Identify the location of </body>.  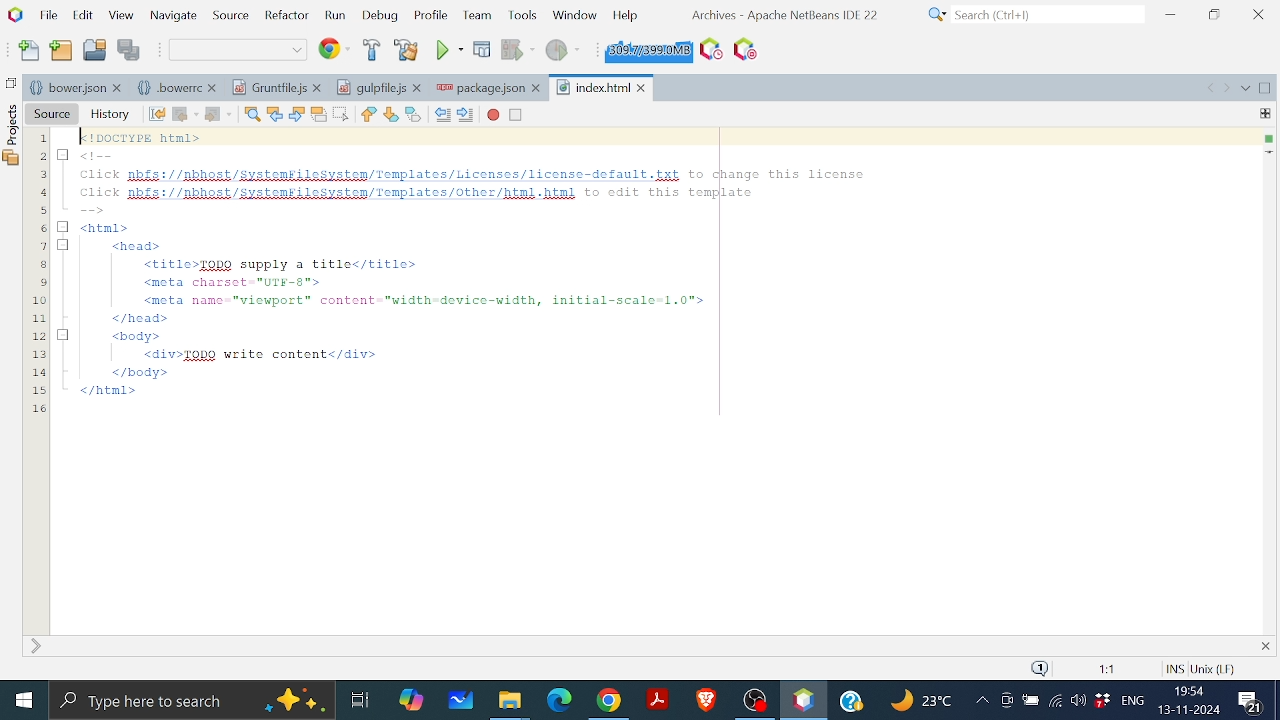
(132, 372).